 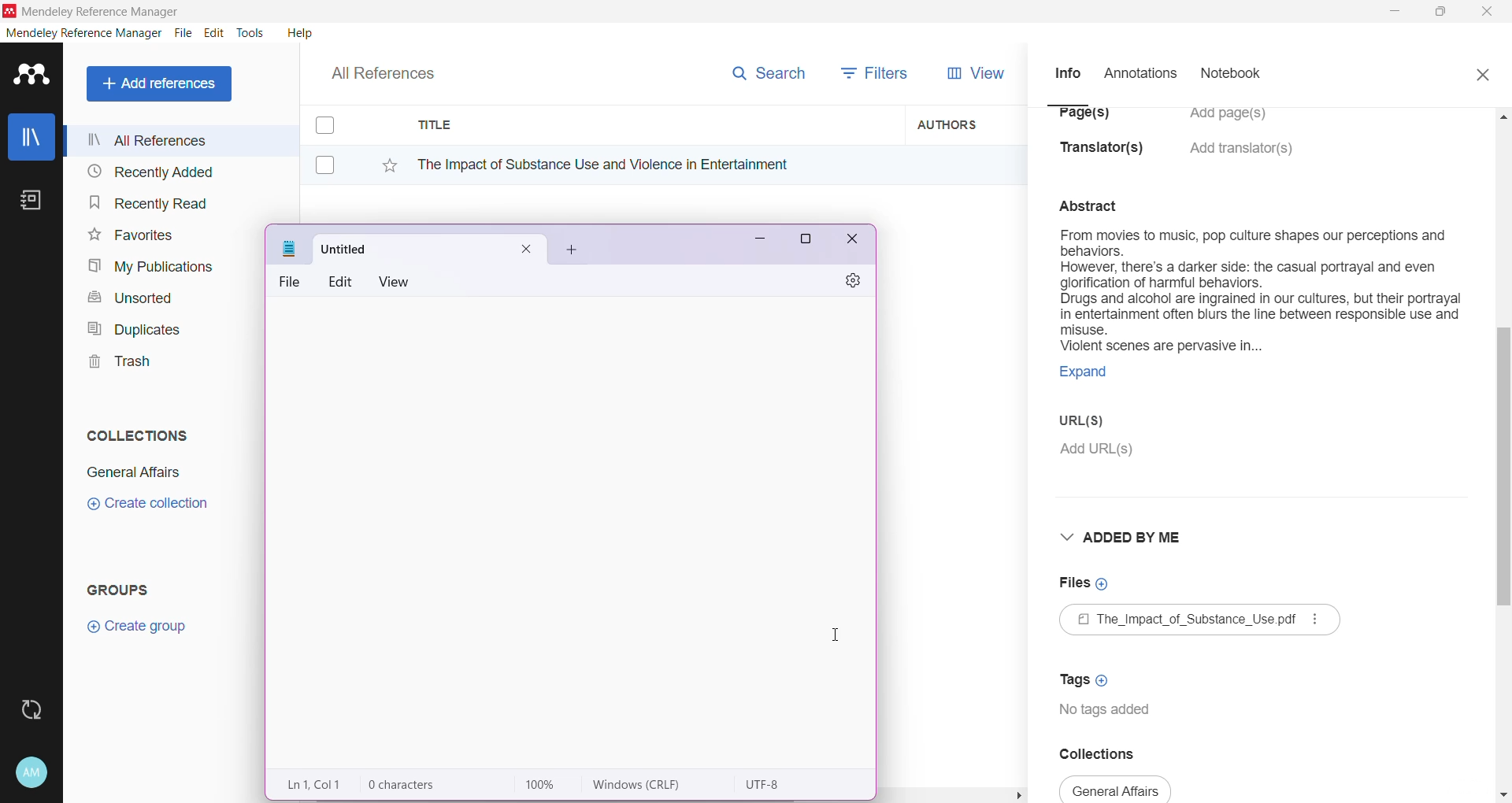 What do you see at coordinates (754, 243) in the screenshot?
I see `Minimize` at bounding box center [754, 243].